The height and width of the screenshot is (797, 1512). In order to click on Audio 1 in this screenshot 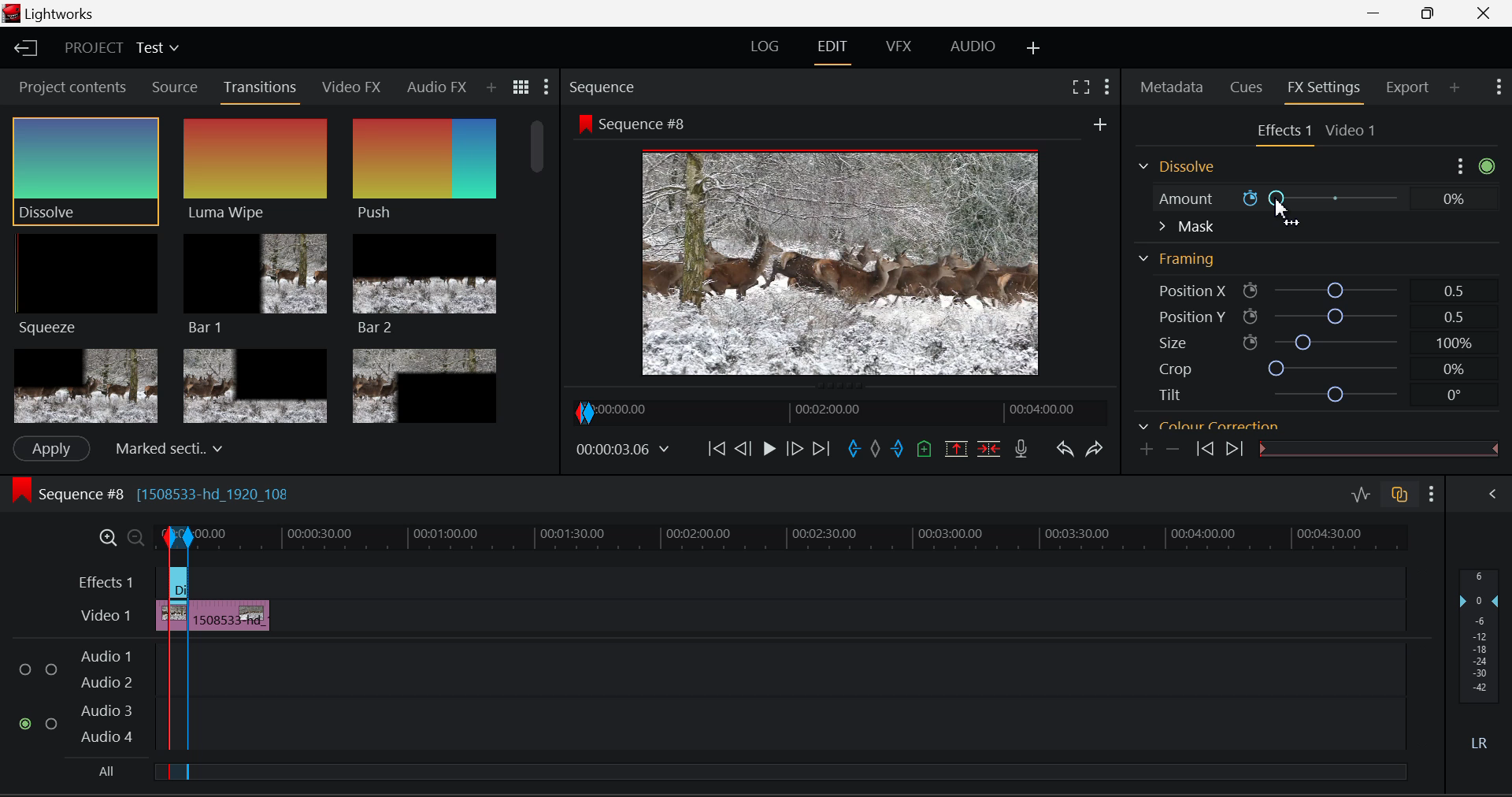, I will do `click(106, 651)`.